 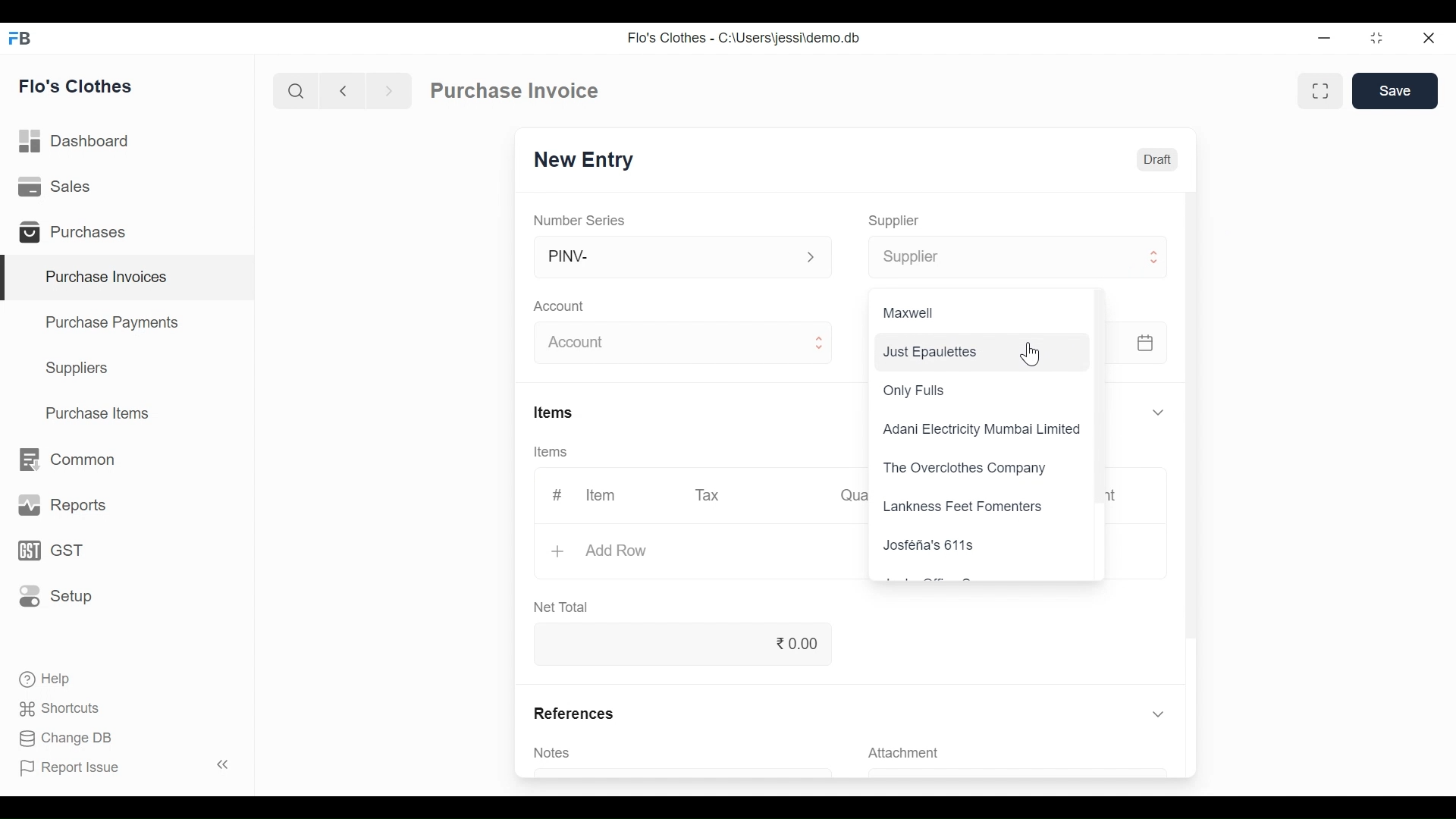 I want to click on References, so click(x=572, y=713).